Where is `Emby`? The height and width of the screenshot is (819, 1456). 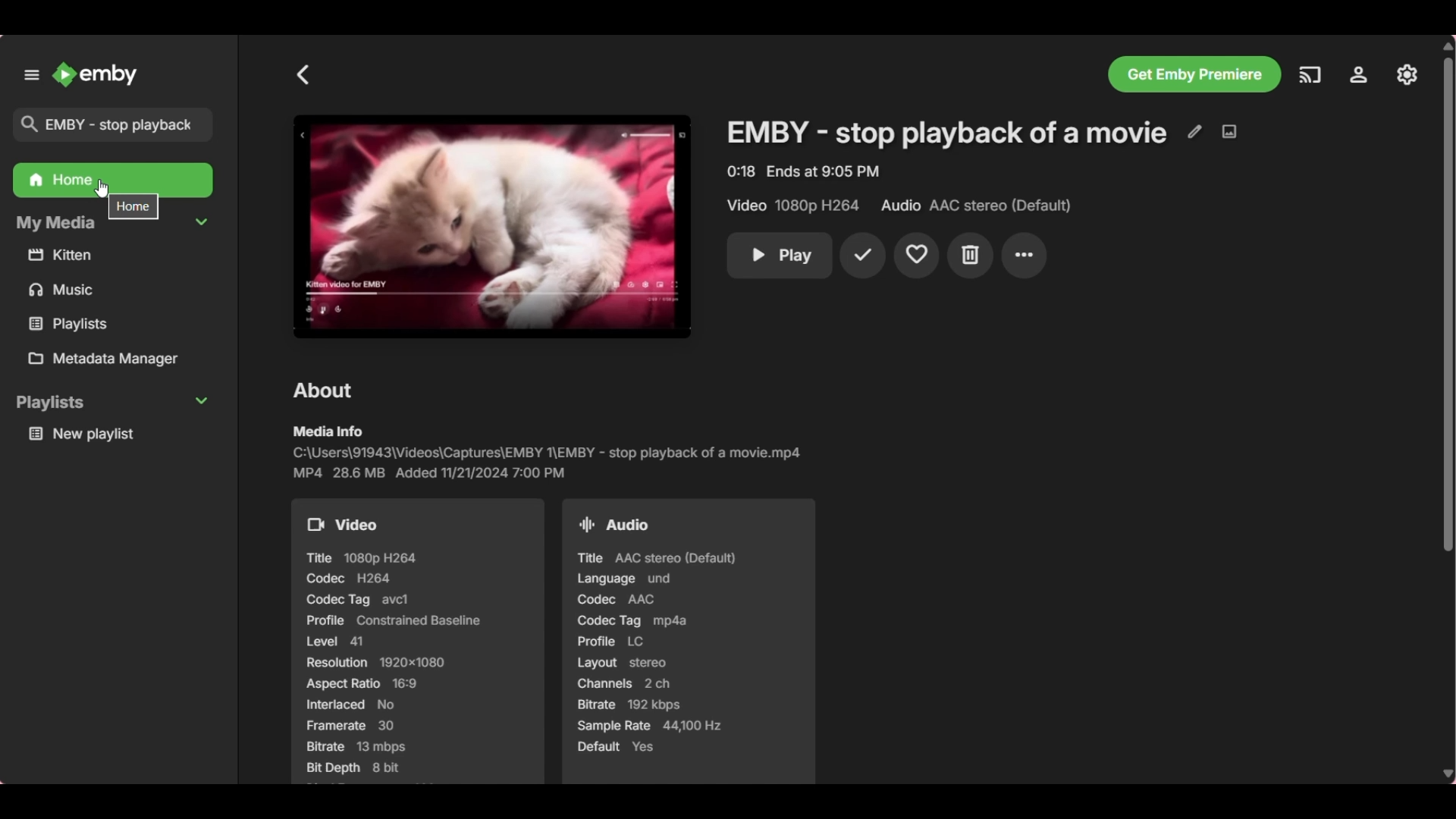
Emby is located at coordinates (96, 74).